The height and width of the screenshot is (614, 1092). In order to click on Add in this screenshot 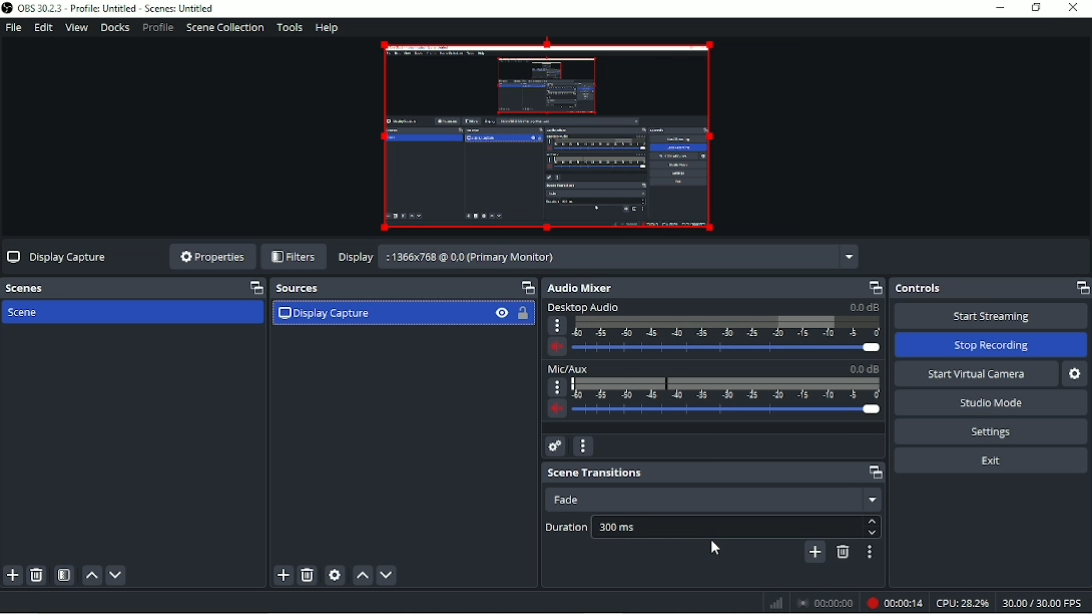, I will do `click(814, 551)`.